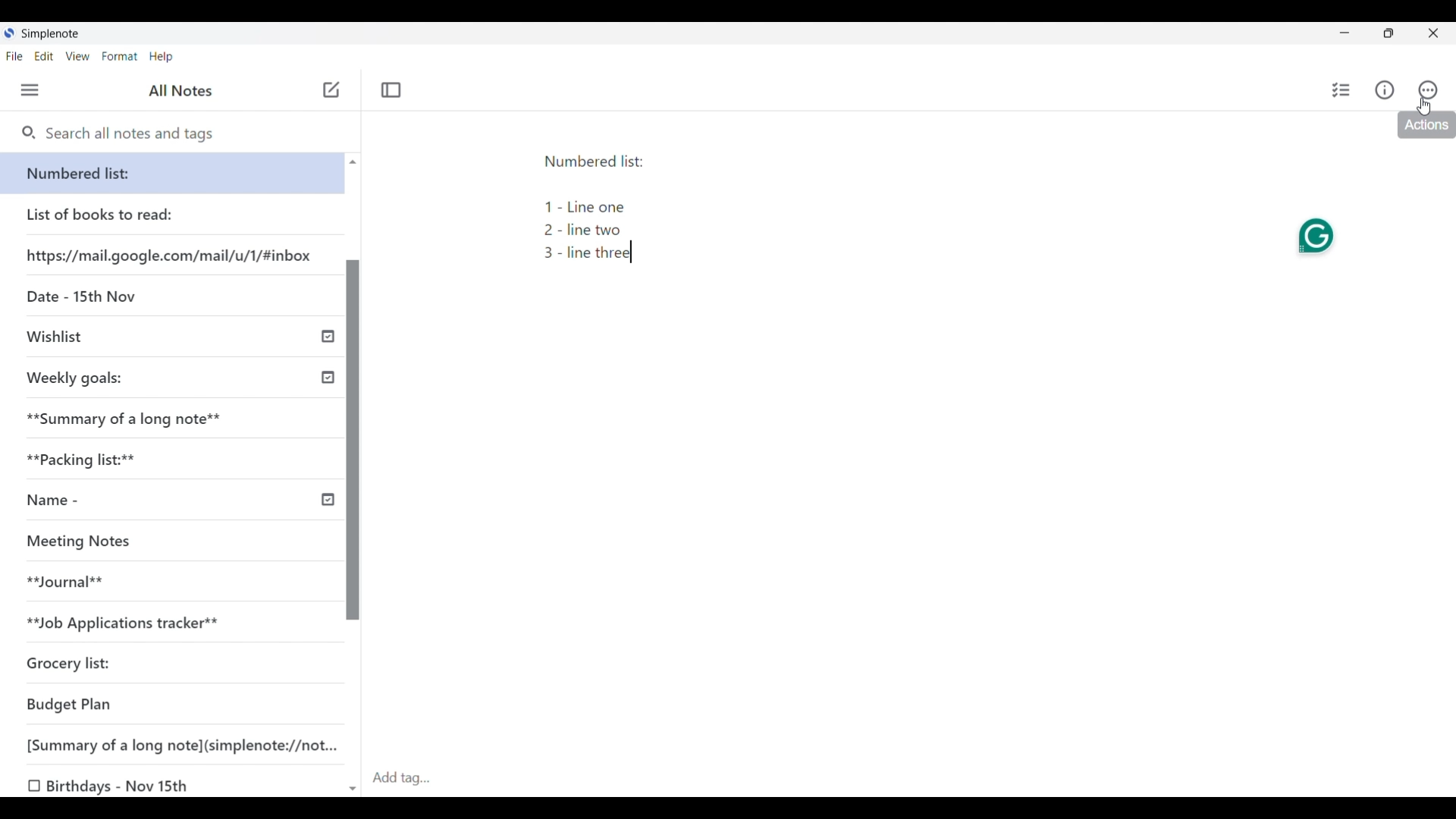  I want to click on View menu, so click(77, 56).